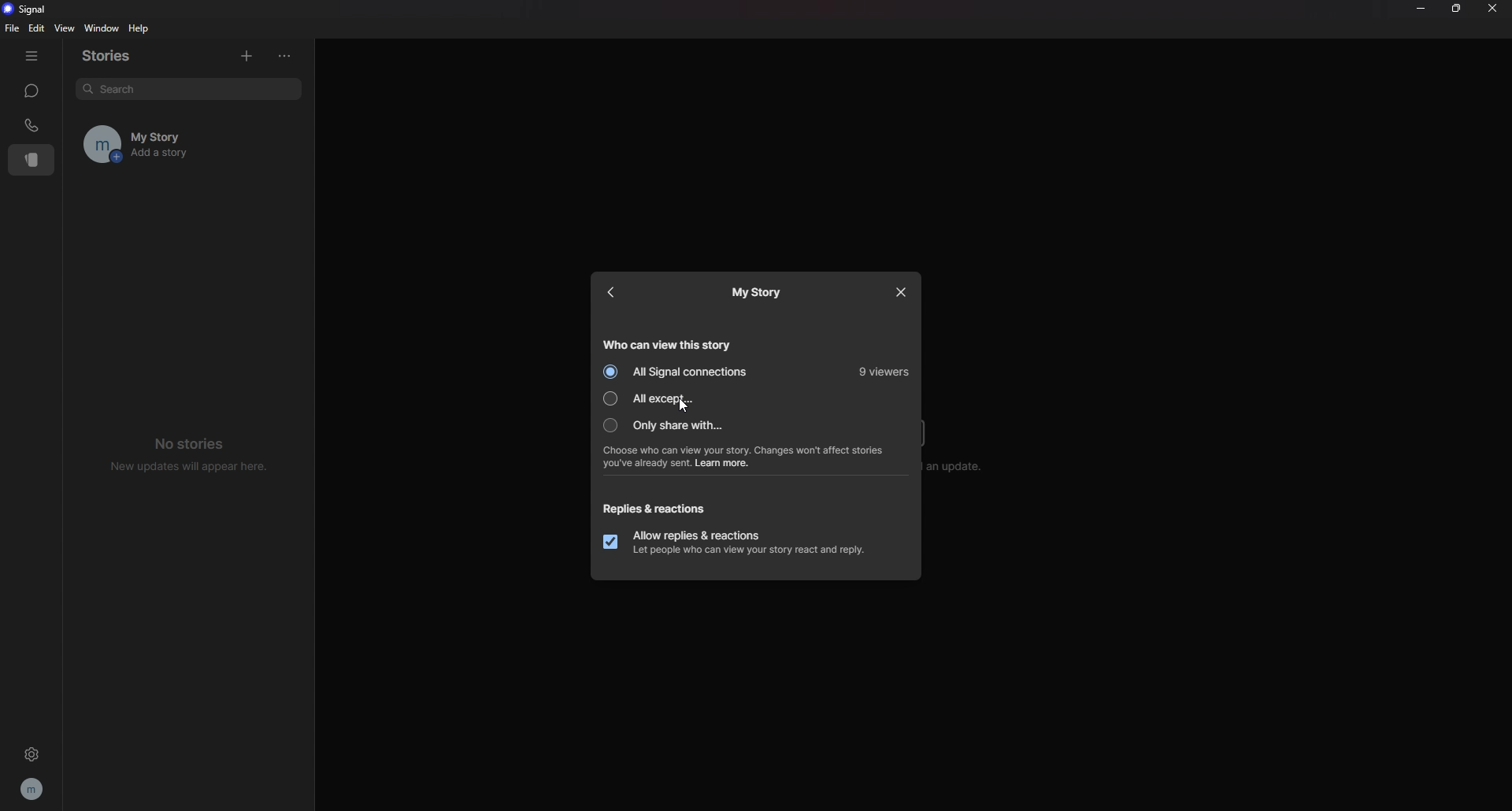  What do you see at coordinates (104, 29) in the screenshot?
I see `window` at bounding box center [104, 29].